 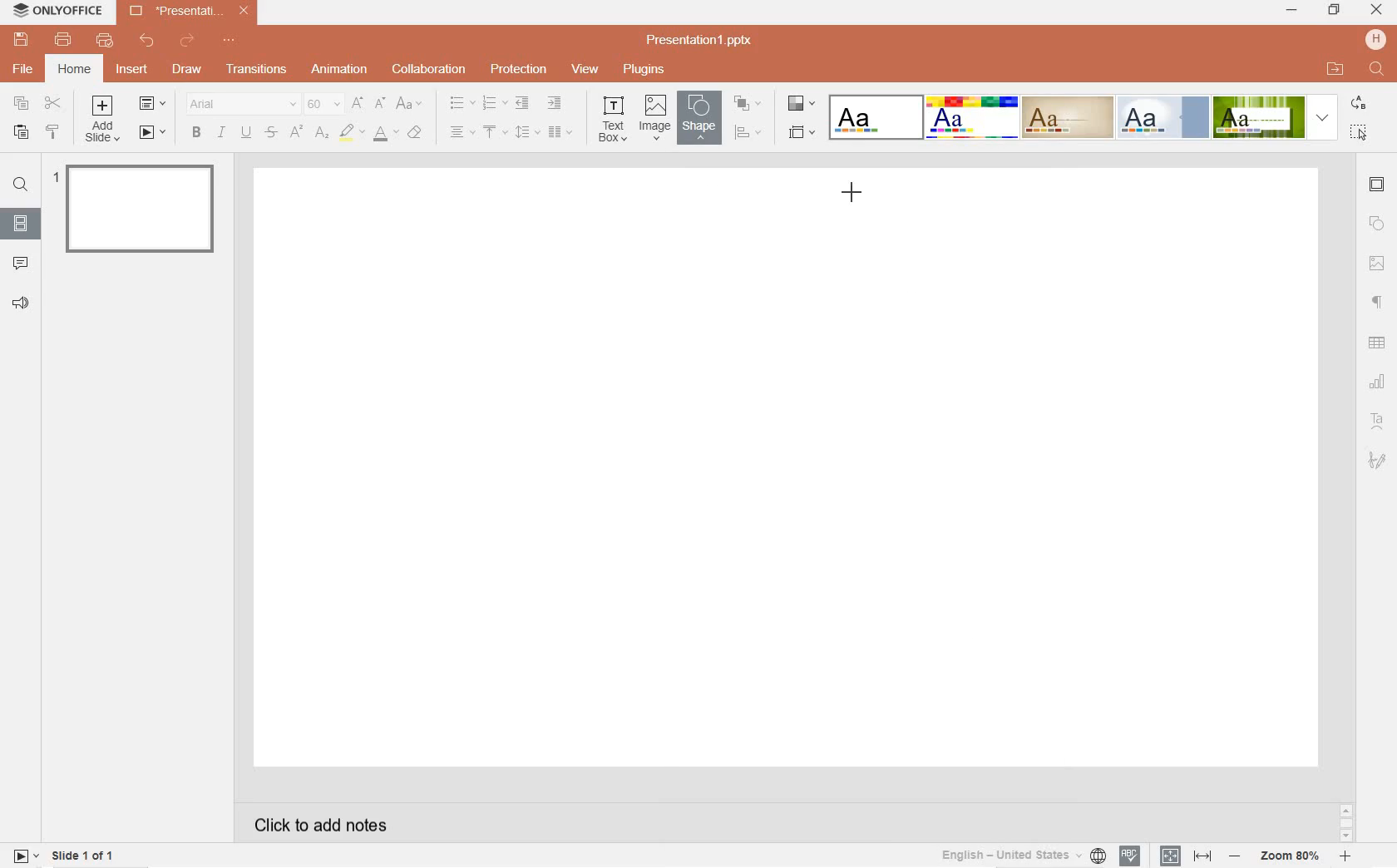 I want to click on protection, so click(x=518, y=71).